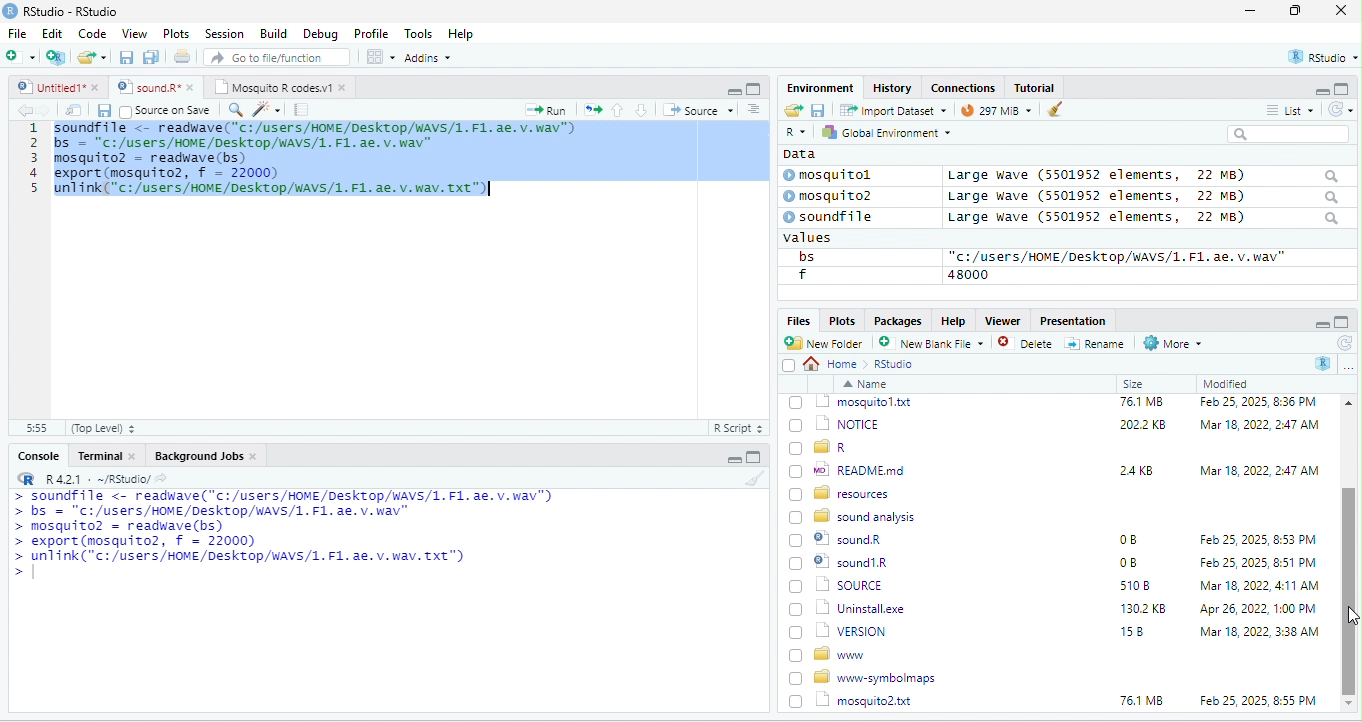  What do you see at coordinates (1288, 134) in the screenshot?
I see `search` at bounding box center [1288, 134].